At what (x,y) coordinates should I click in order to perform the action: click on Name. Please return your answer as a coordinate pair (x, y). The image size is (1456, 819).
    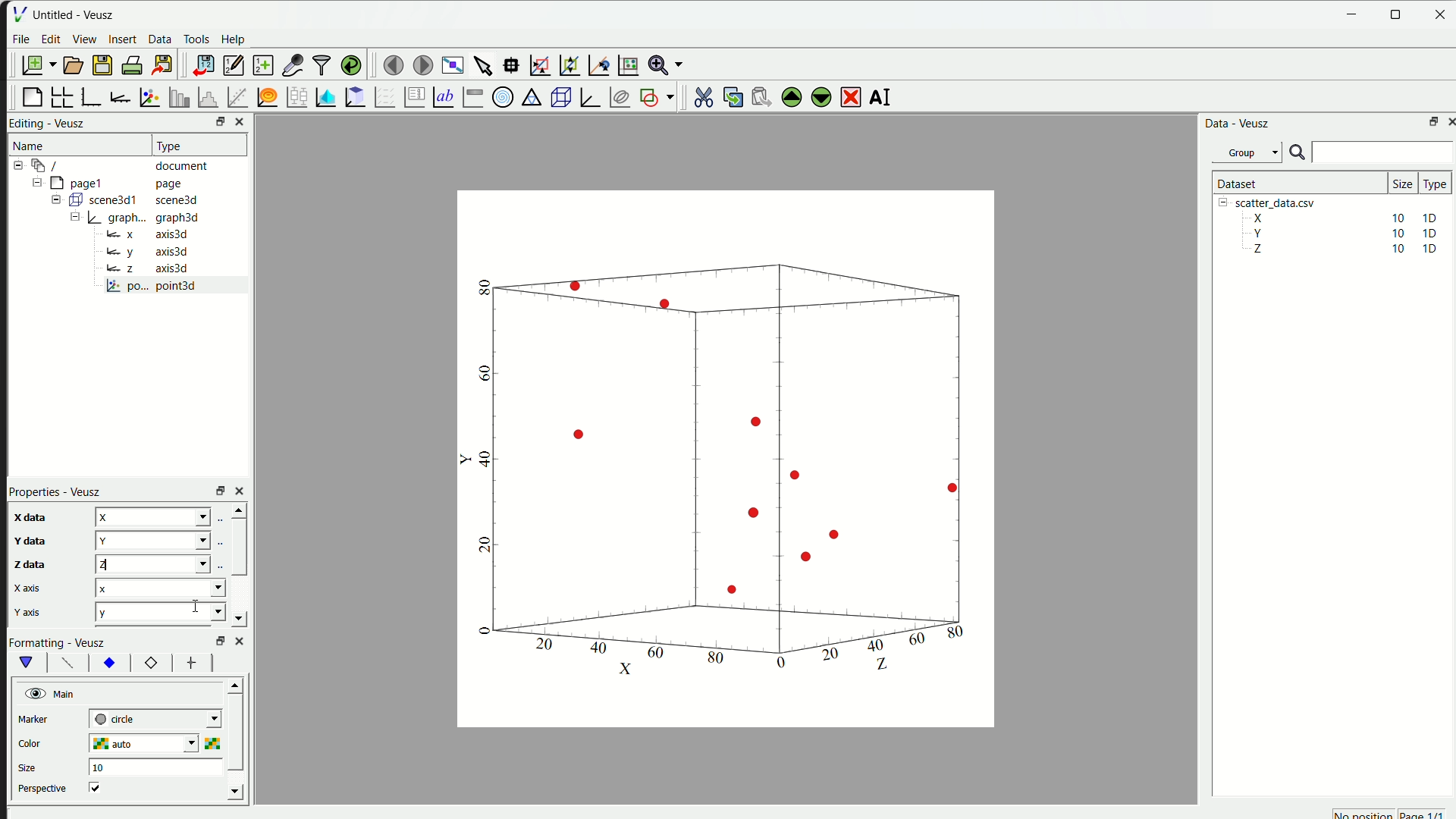
    Looking at the image, I should click on (30, 143).